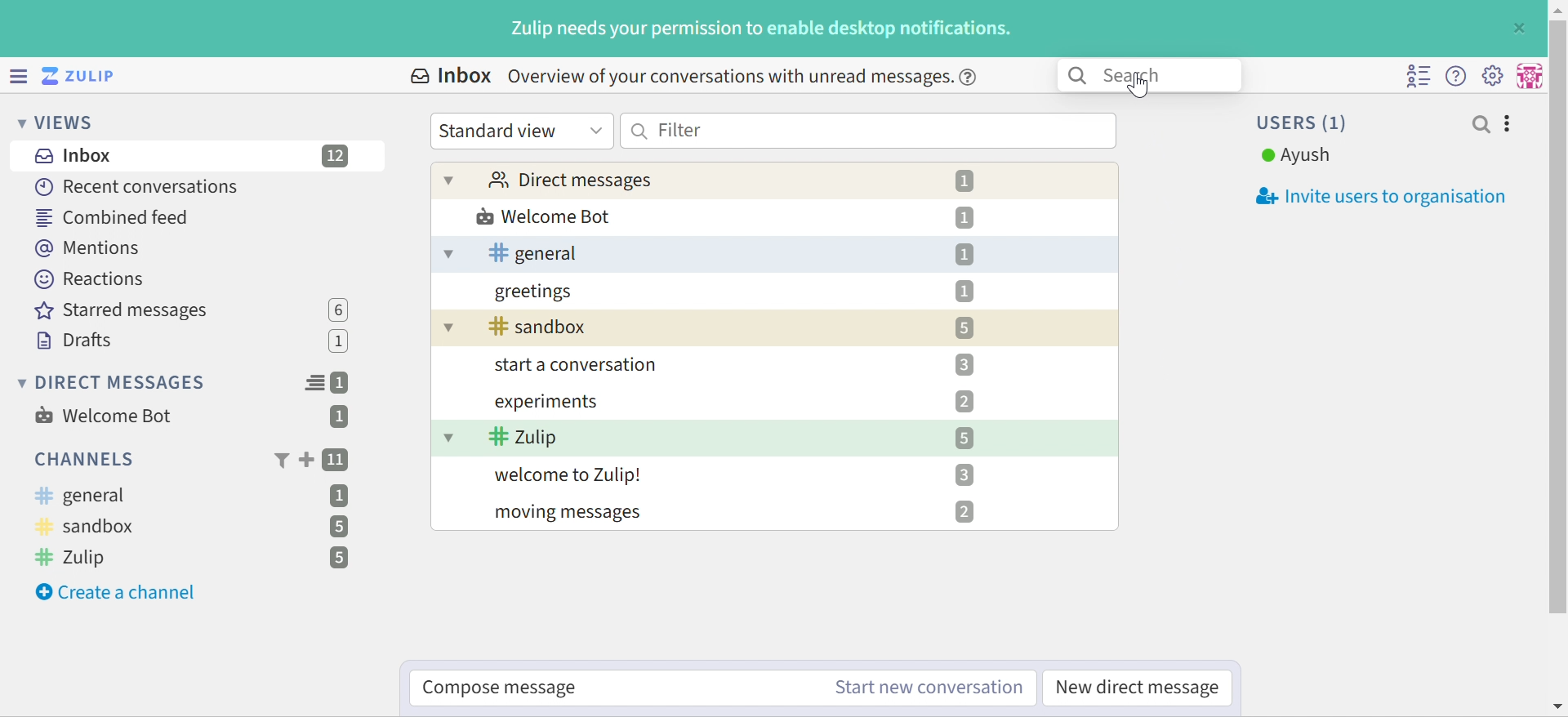  I want to click on Search, so click(1150, 76).